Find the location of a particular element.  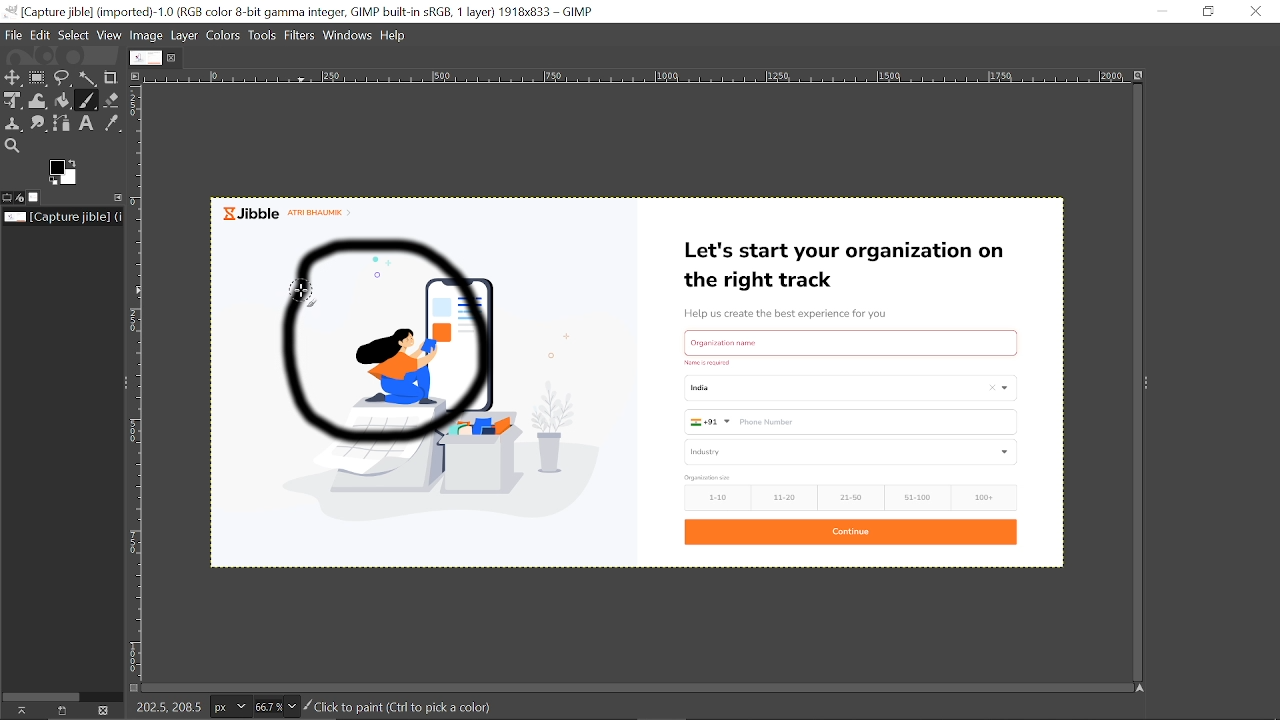

Location of the current file is located at coordinates (62, 217).